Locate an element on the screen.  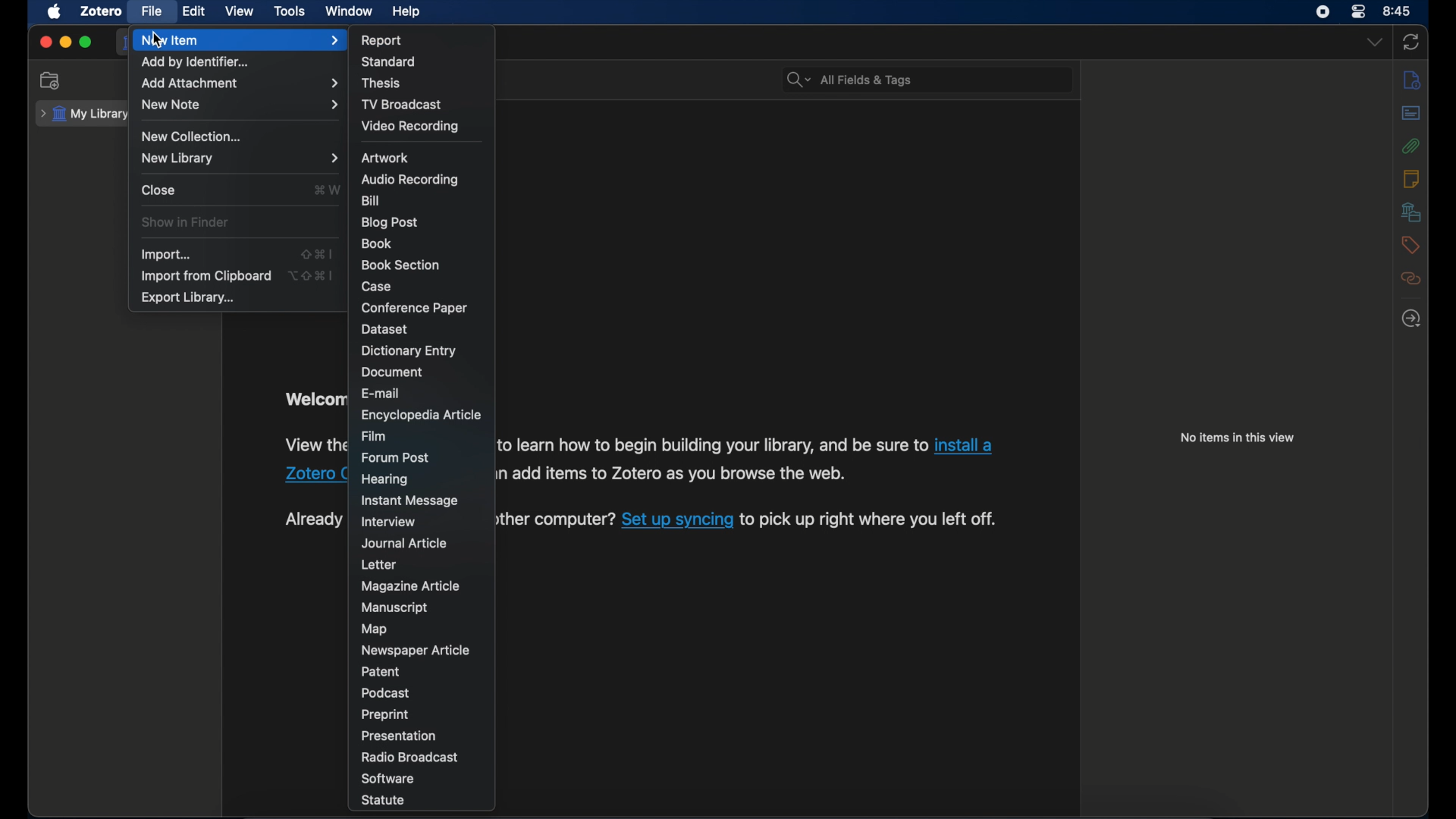
artwork is located at coordinates (385, 158).